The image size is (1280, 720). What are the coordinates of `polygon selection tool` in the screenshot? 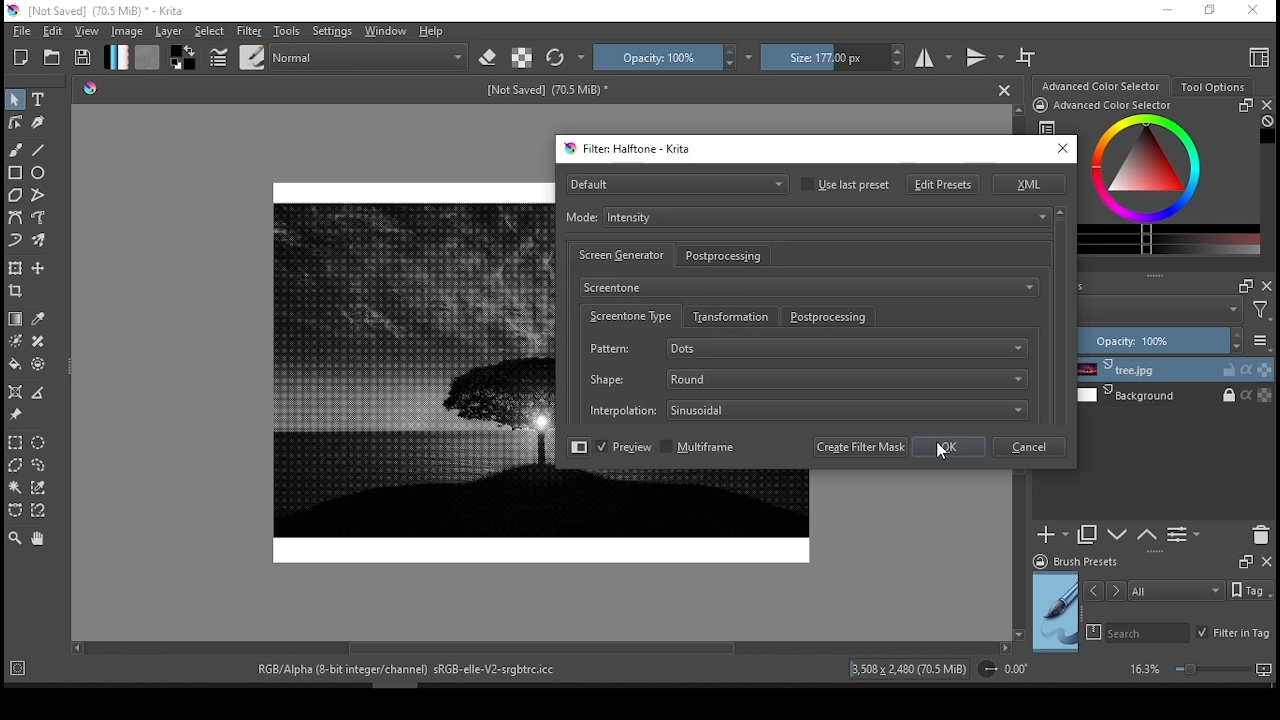 It's located at (18, 465).